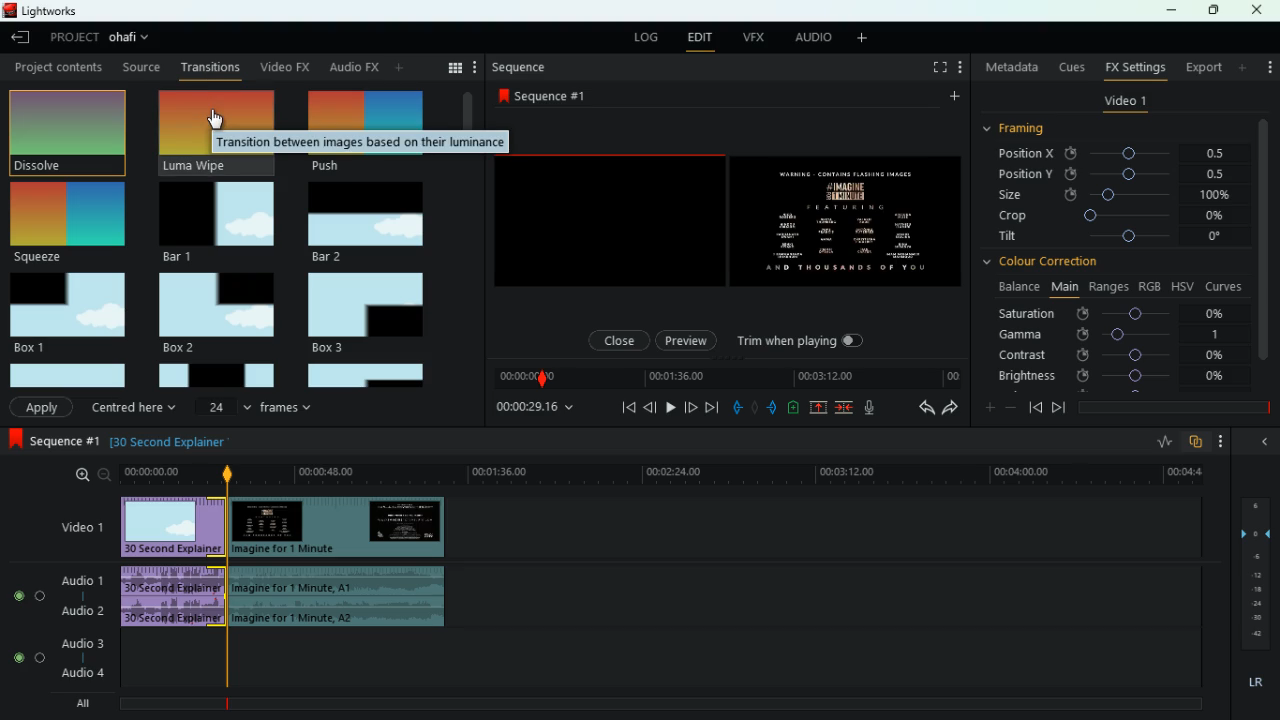 This screenshot has height=720, width=1280. What do you see at coordinates (650, 407) in the screenshot?
I see `back` at bounding box center [650, 407].